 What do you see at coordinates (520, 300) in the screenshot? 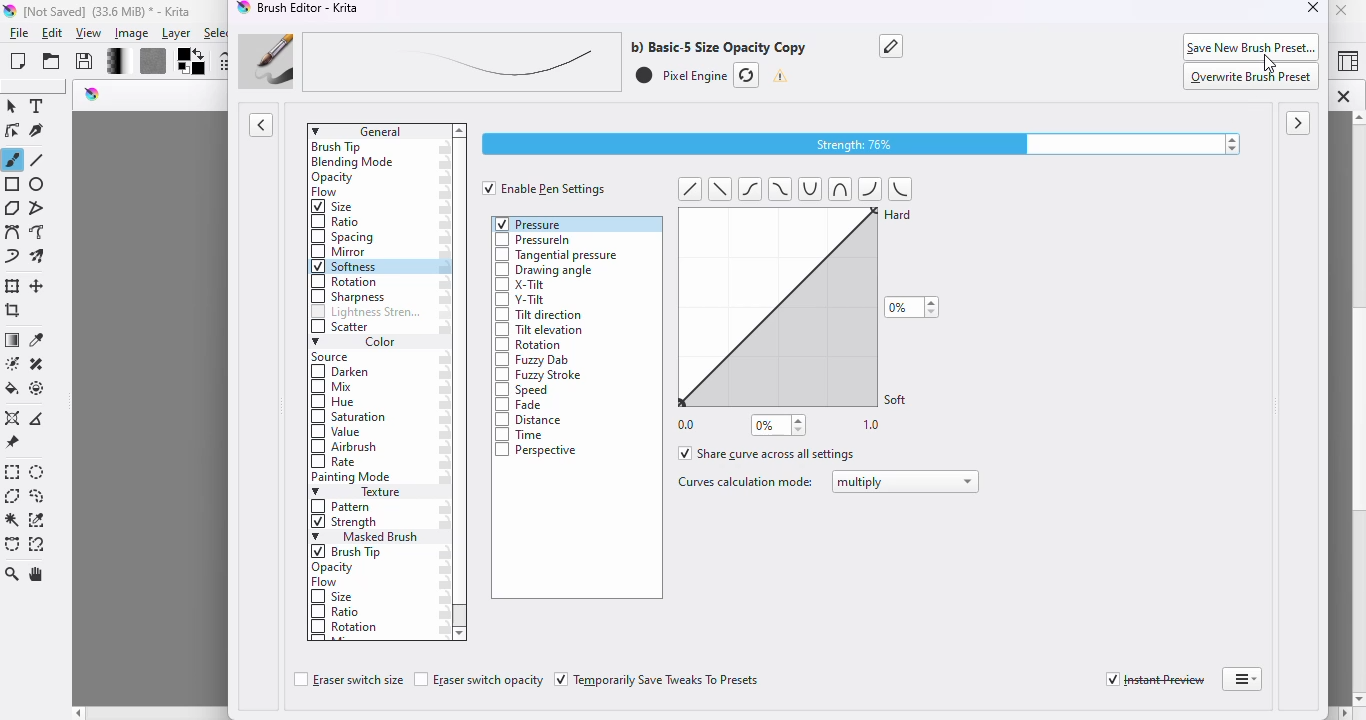
I see `y-tilt` at bounding box center [520, 300].